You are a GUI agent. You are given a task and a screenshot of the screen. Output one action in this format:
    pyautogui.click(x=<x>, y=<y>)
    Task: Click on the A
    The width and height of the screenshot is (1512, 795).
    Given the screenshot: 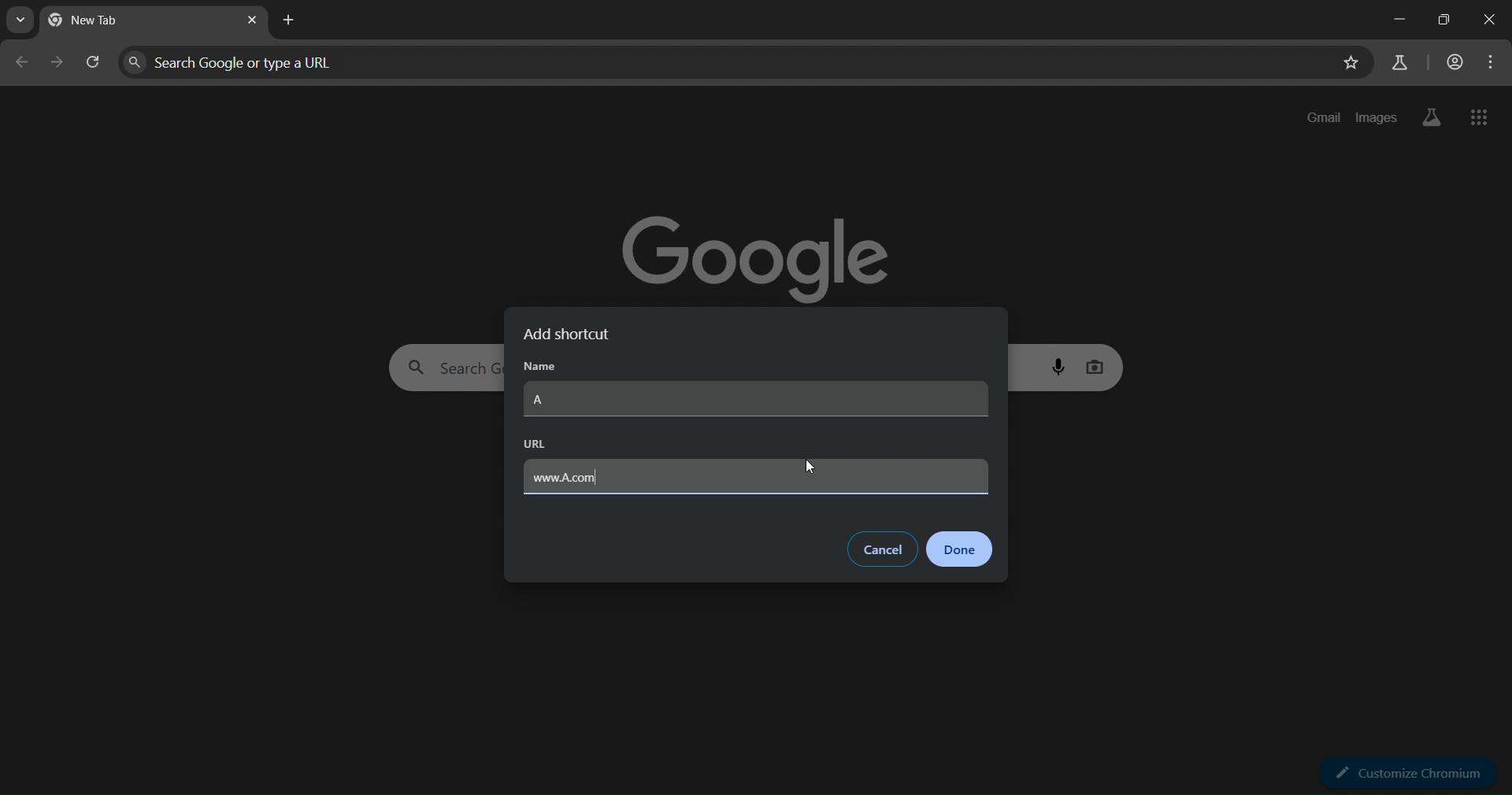 What is the action you would take?
    pyautogui.click(x=758, y=401)
    